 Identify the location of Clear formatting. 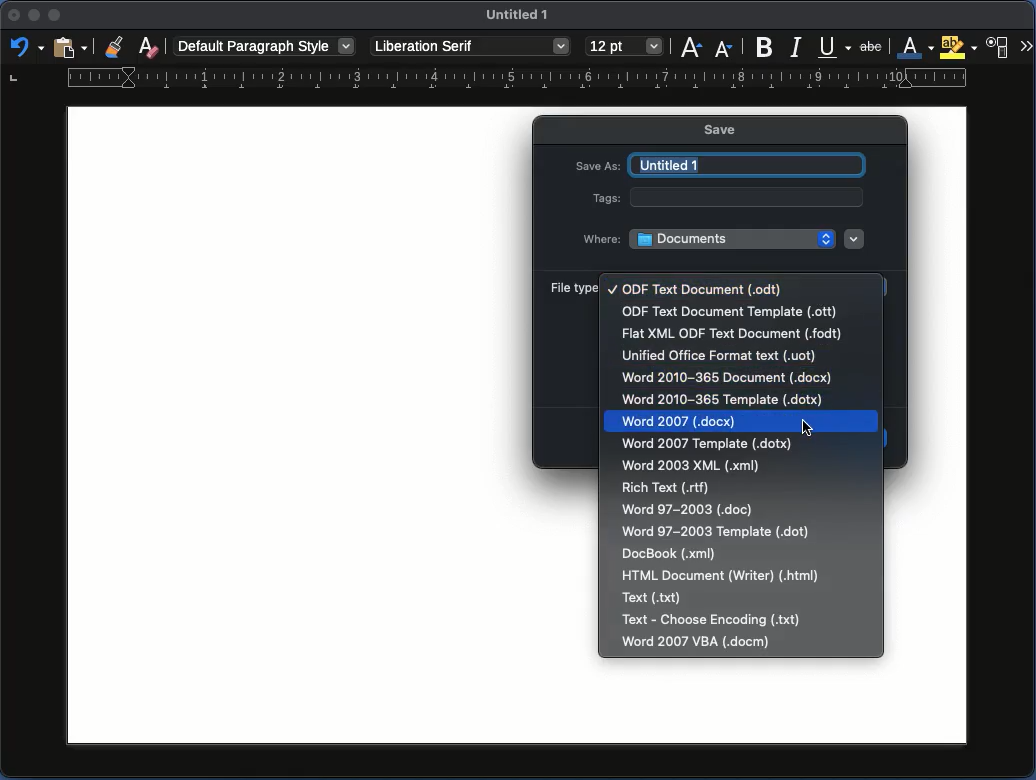
(148, 45).